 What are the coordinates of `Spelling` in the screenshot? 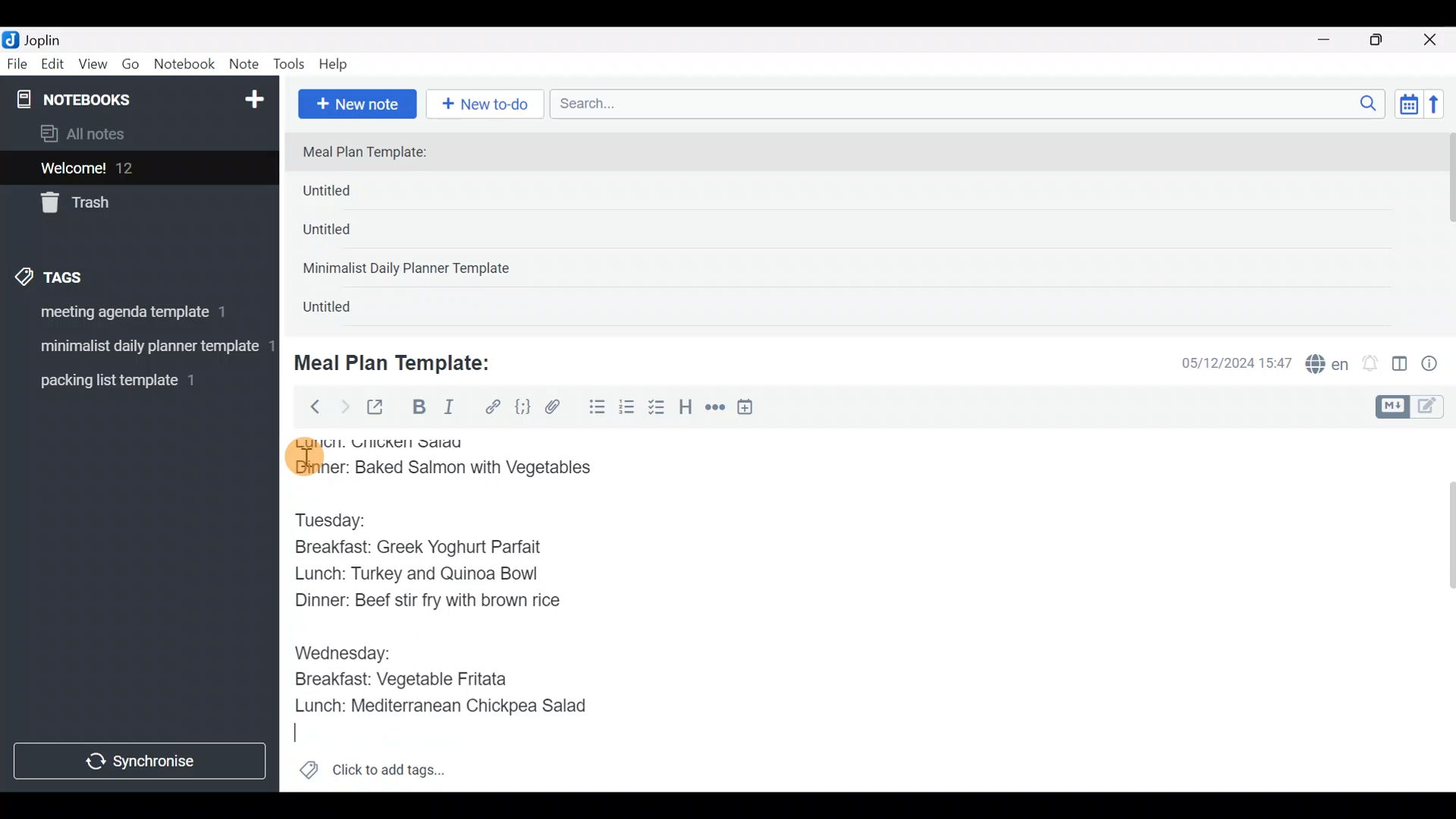 It's located at (1328, 366).